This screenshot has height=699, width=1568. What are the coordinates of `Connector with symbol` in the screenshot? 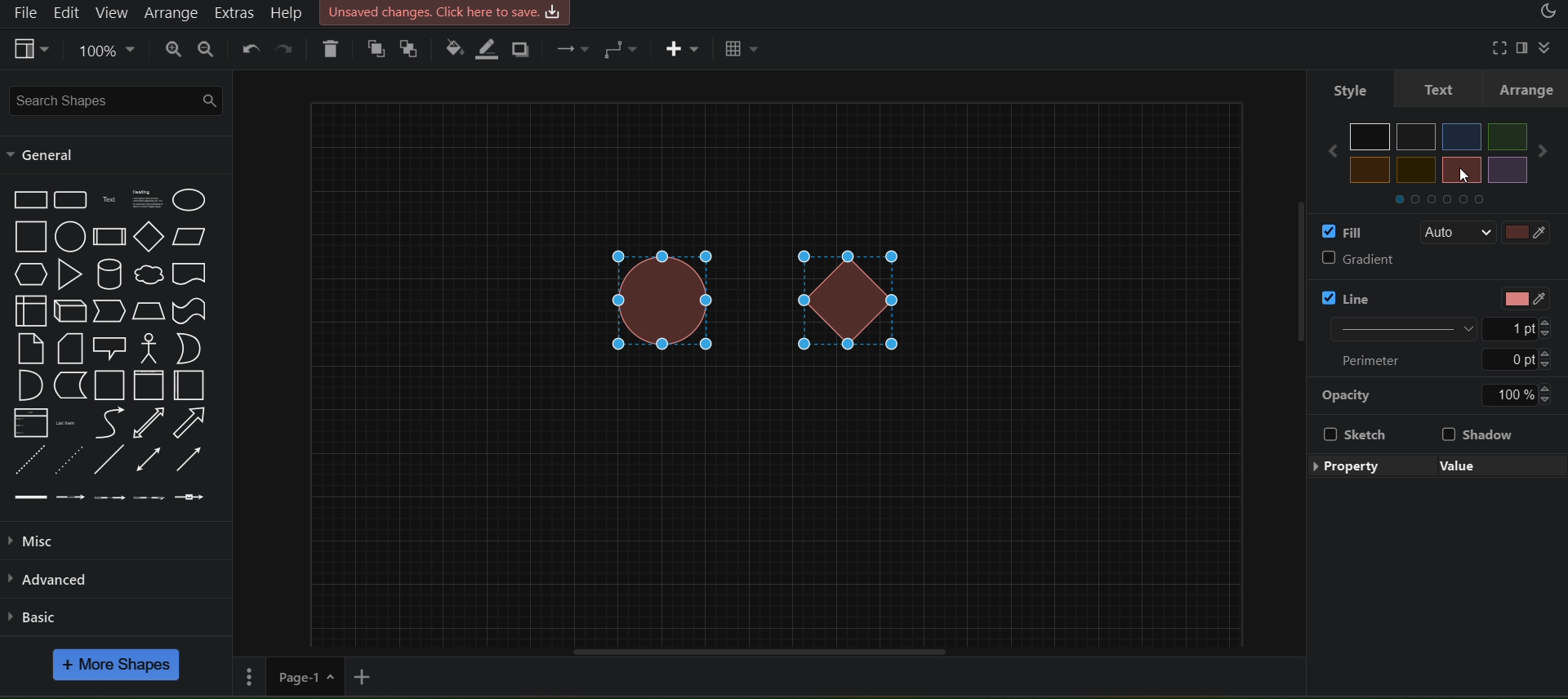 It's located at (194, 498).